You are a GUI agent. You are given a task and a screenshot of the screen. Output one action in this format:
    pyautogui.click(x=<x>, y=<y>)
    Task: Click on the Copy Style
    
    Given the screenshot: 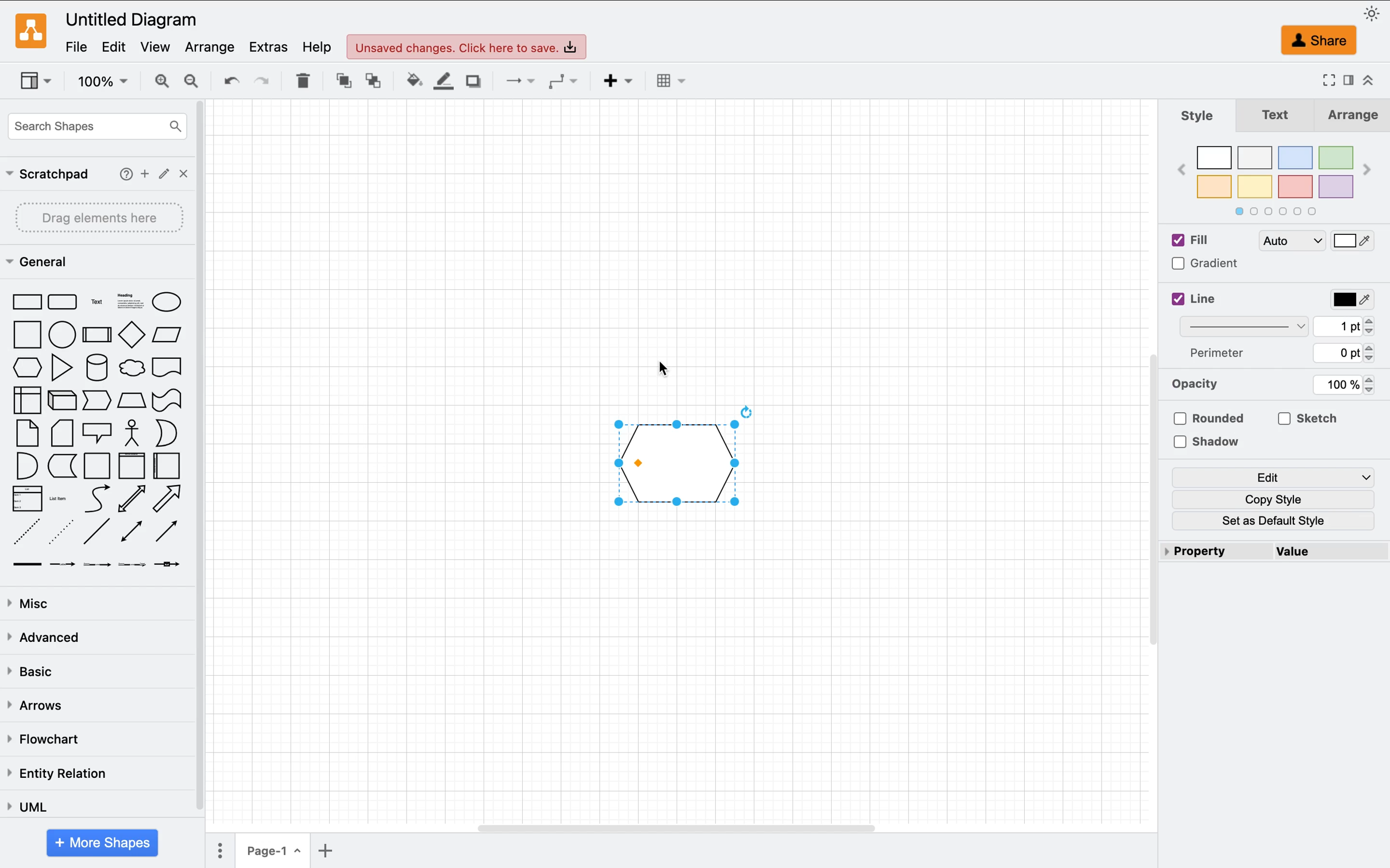 What is the action you would take?
    pyautogui.click(x=1271, y=498)
    